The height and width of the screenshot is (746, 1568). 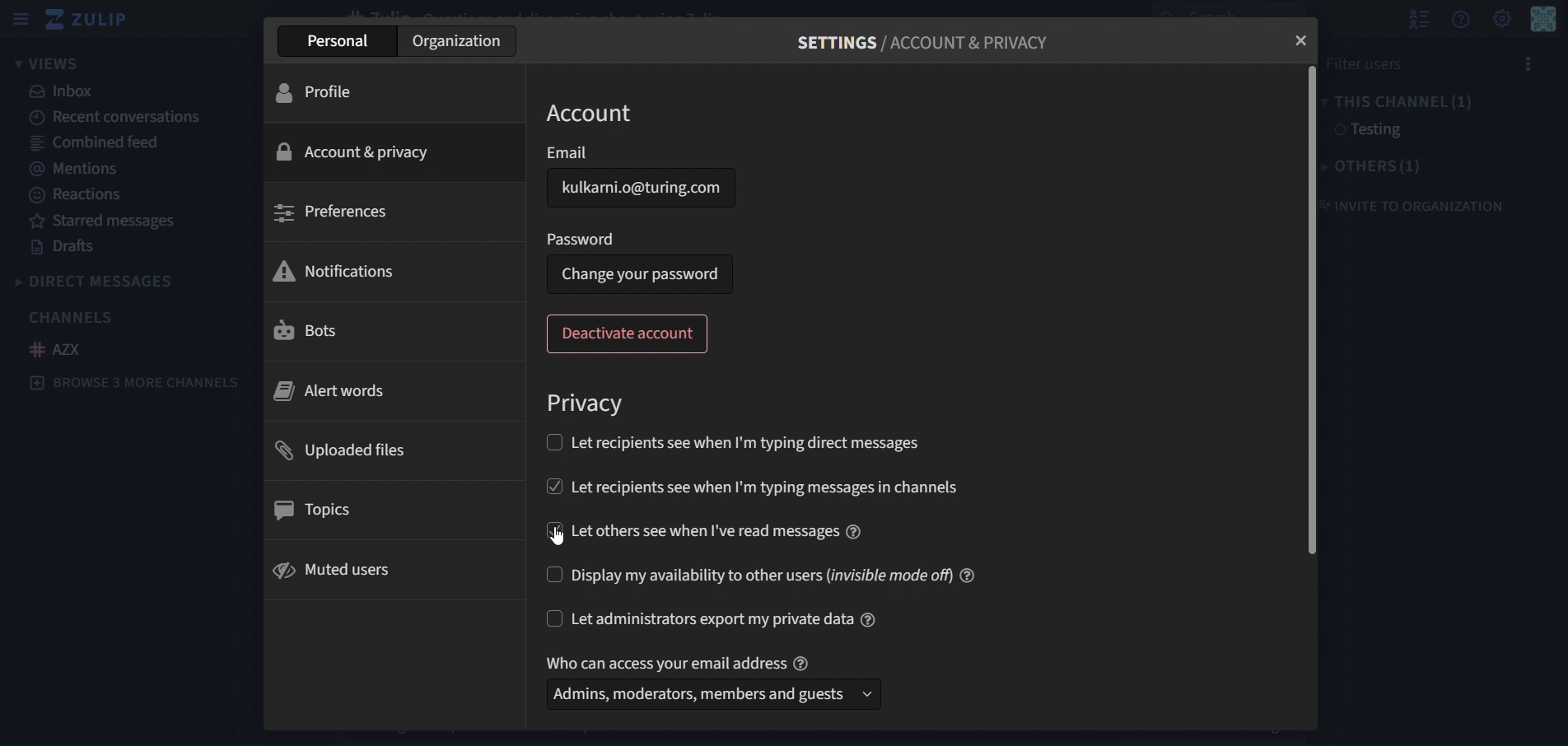 What do you see at coordinates (82, 196) in the screenshot?
I see `reactions` at bounding box center [82, 196].